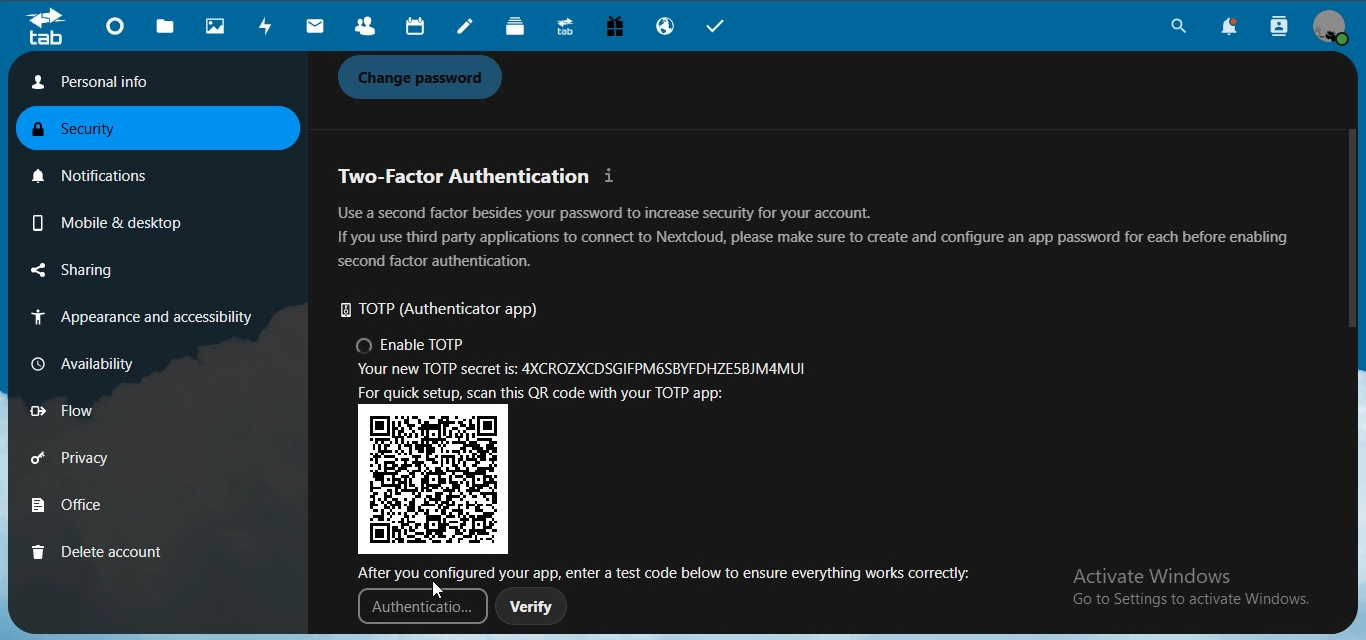  I want to click on tasks, so click(723, 28).